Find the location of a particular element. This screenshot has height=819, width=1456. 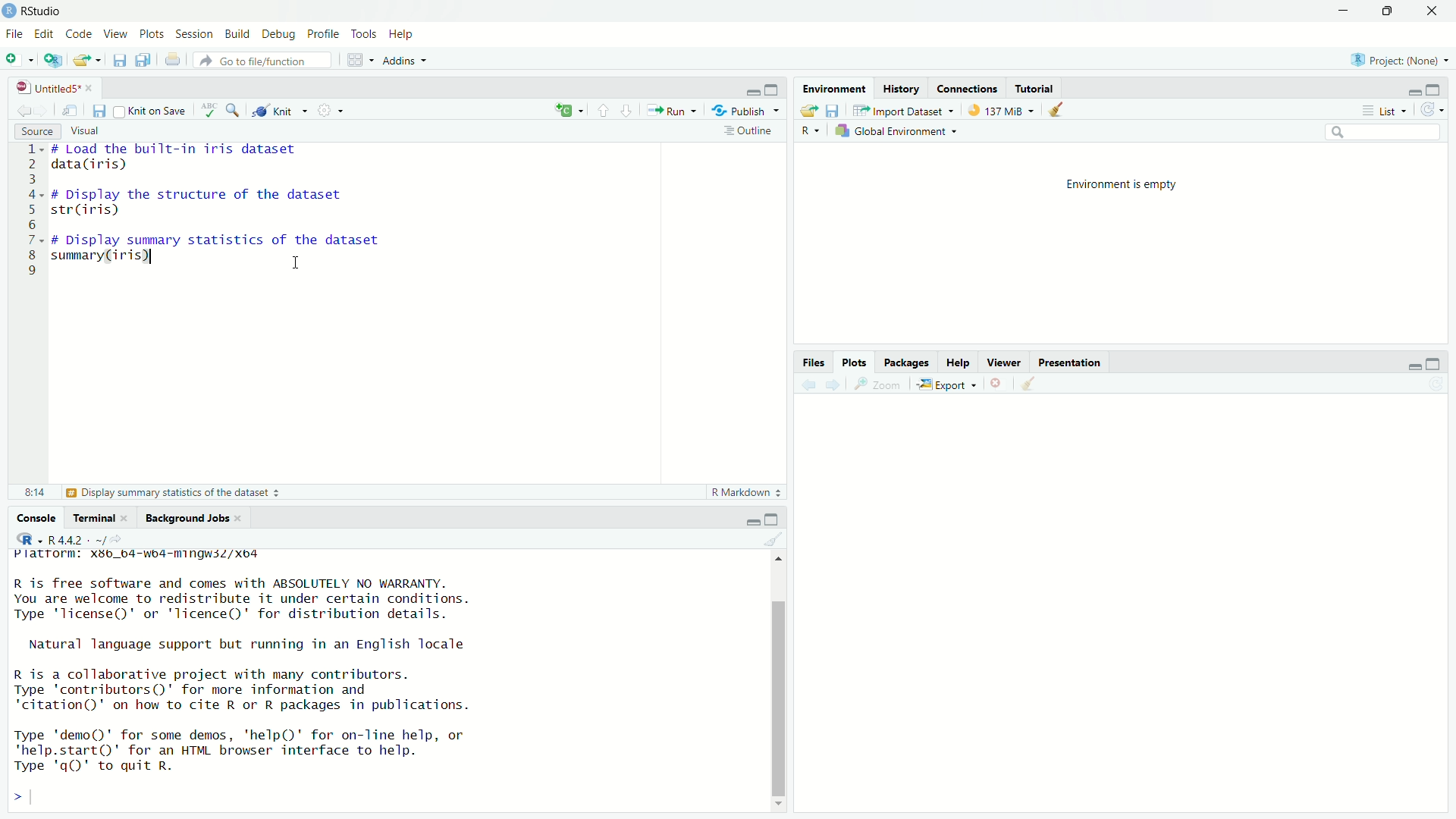

814 is located at coordinates (36, 492).